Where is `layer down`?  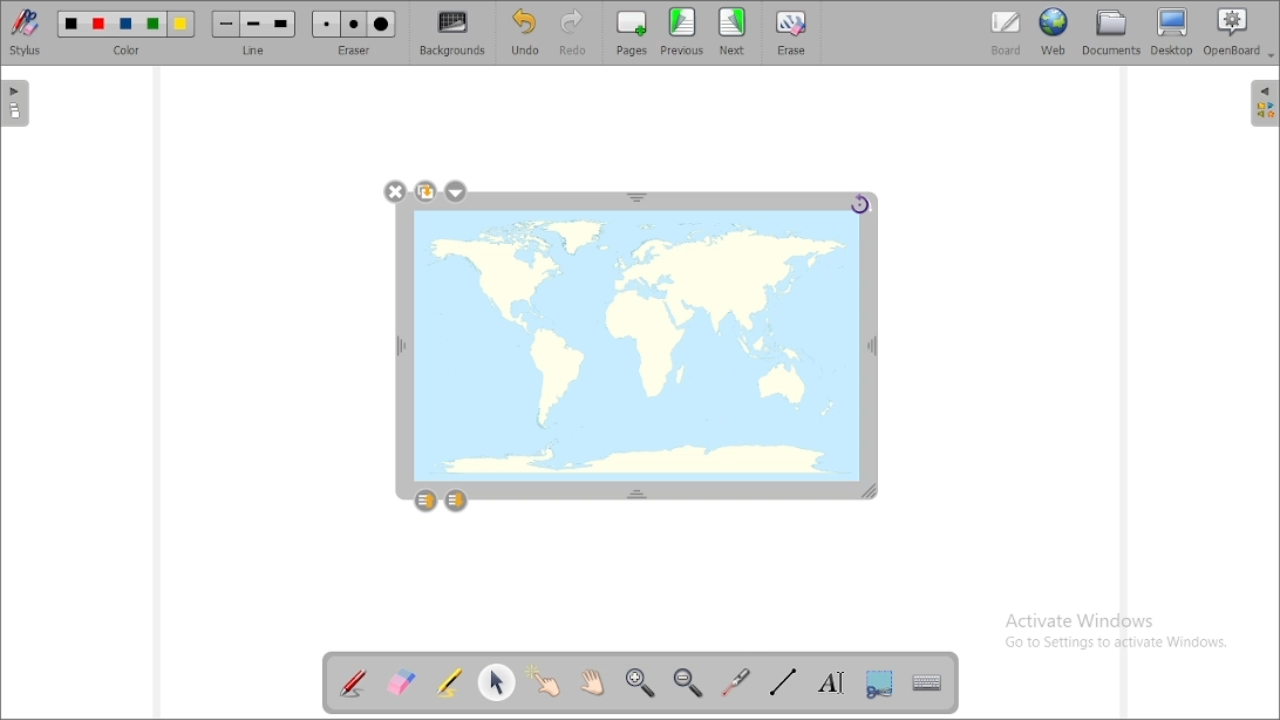 layer down is located at coordinates (456, 501).